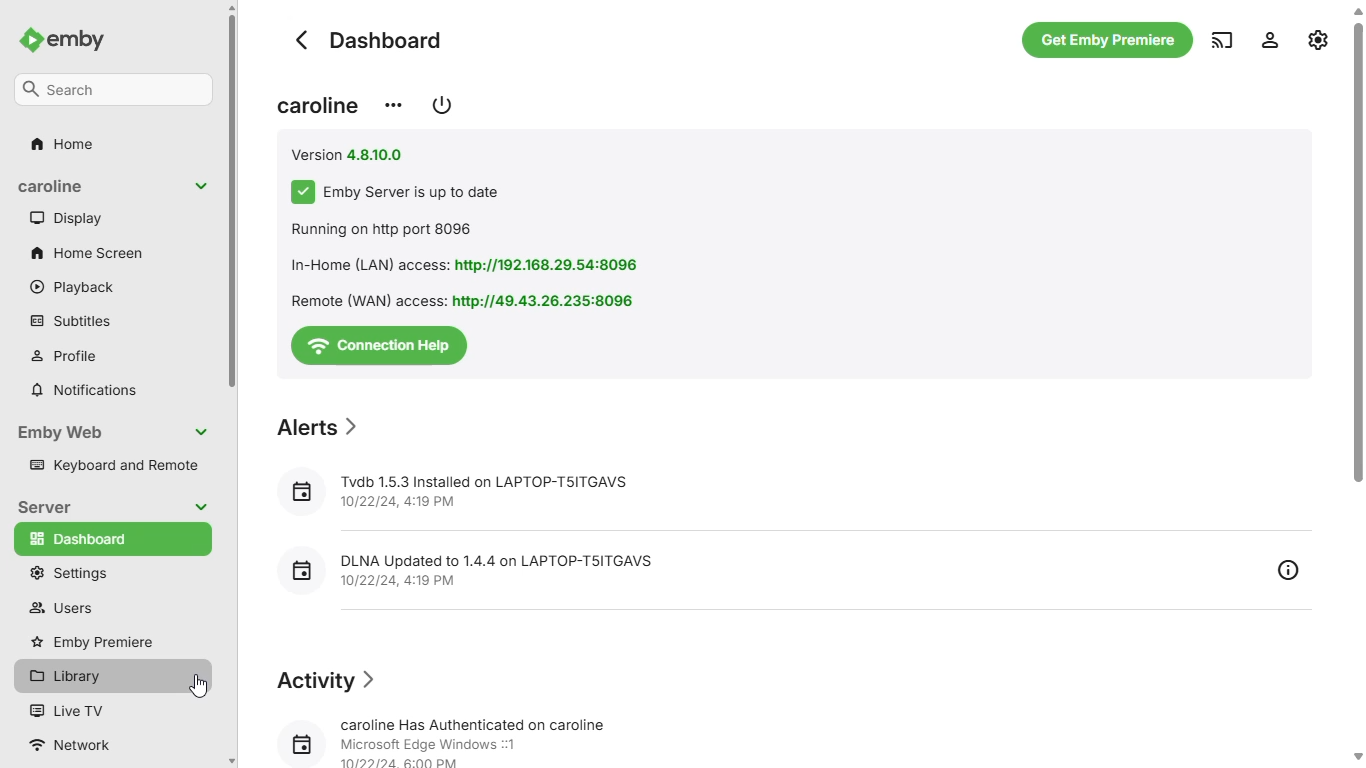  Describe the element at coordinates (461, 739) in the screenshot. I see `caroline Has Authenticated on carolineB)  Microsoh Edge Windows :1 10/22/24 6:00pm` at that location.